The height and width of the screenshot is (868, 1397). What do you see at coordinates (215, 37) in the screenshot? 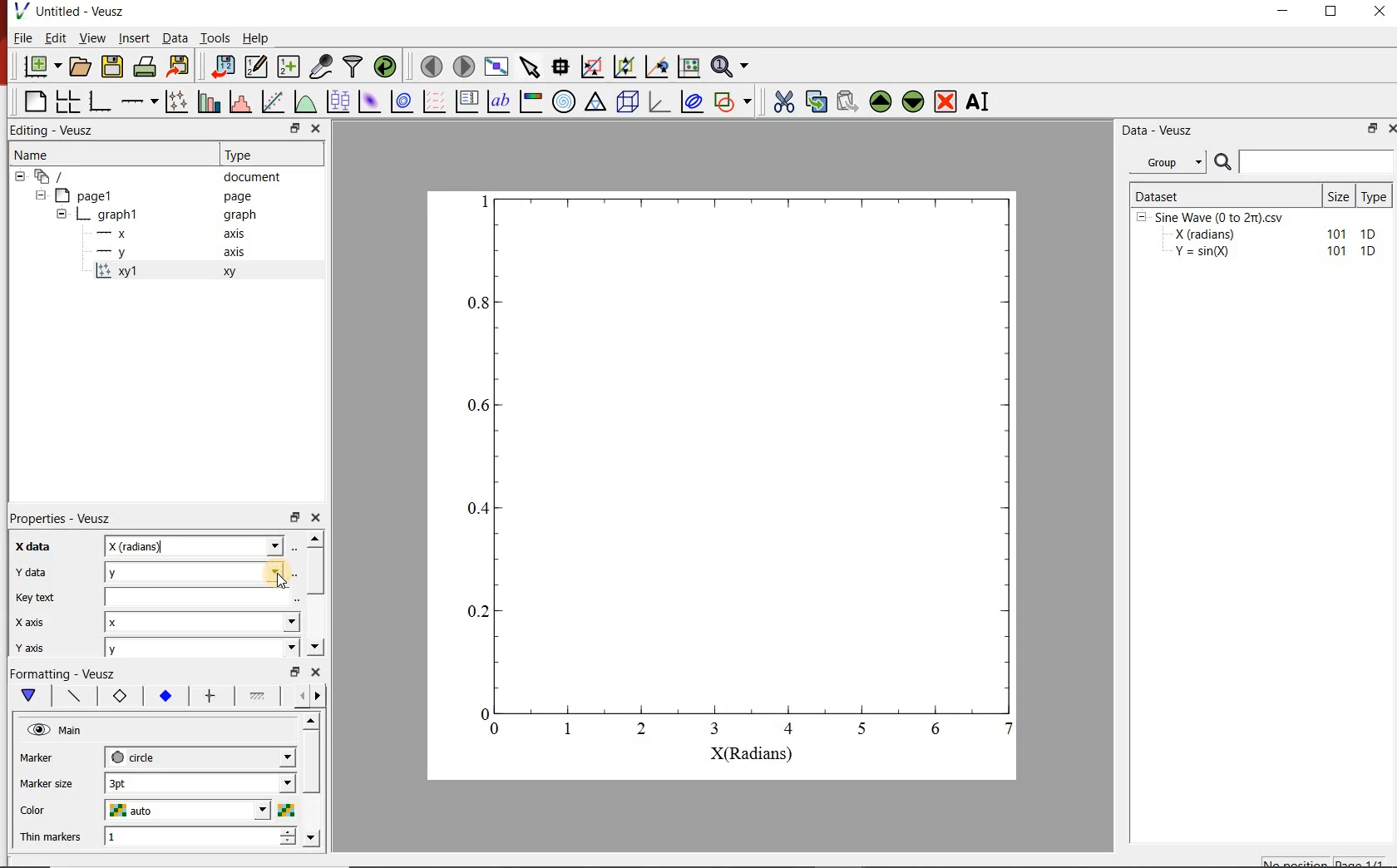
I see `Tools` at bounding box center [215, 37].